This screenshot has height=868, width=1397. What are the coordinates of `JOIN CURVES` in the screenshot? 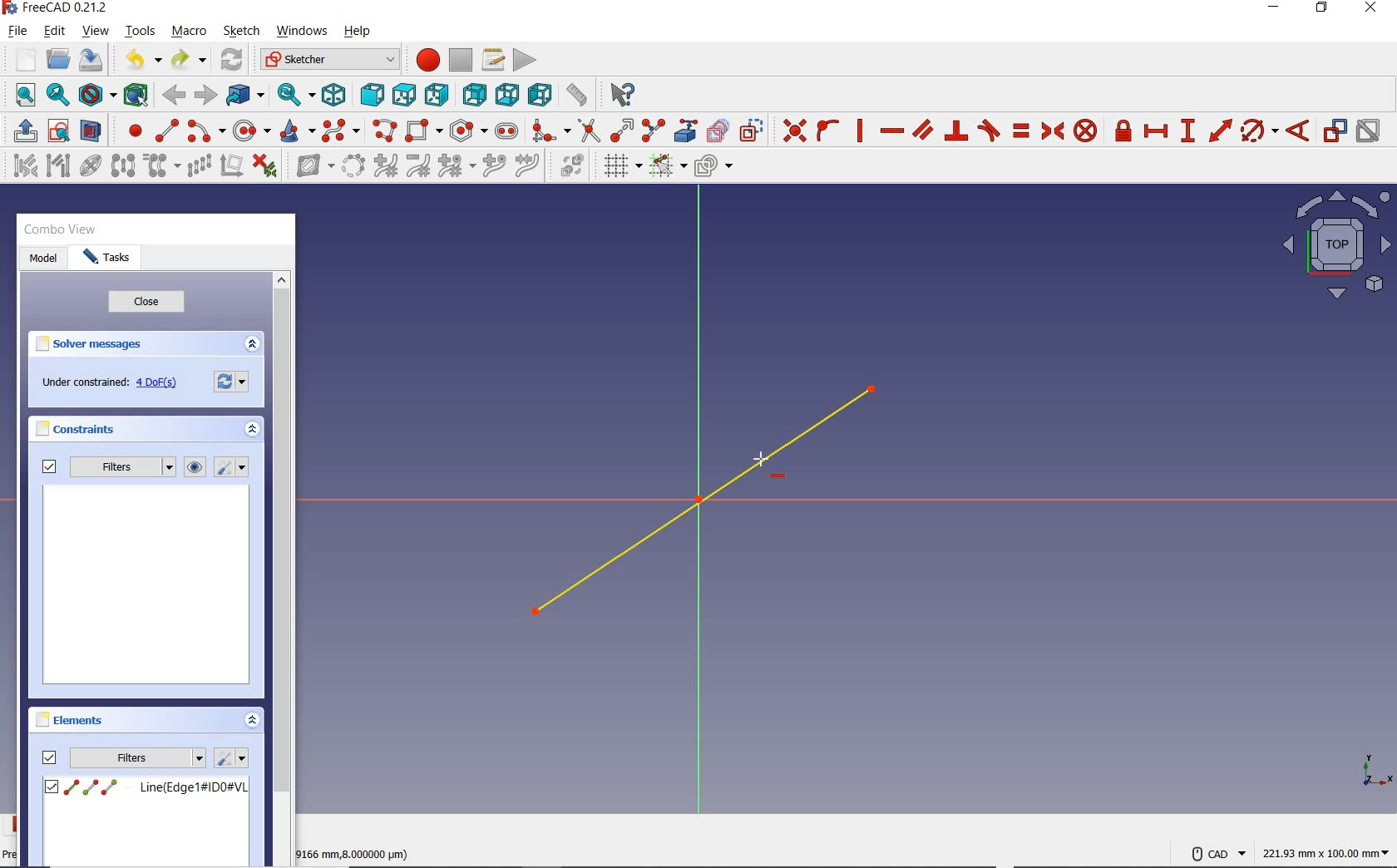 It's located at (528, 165).